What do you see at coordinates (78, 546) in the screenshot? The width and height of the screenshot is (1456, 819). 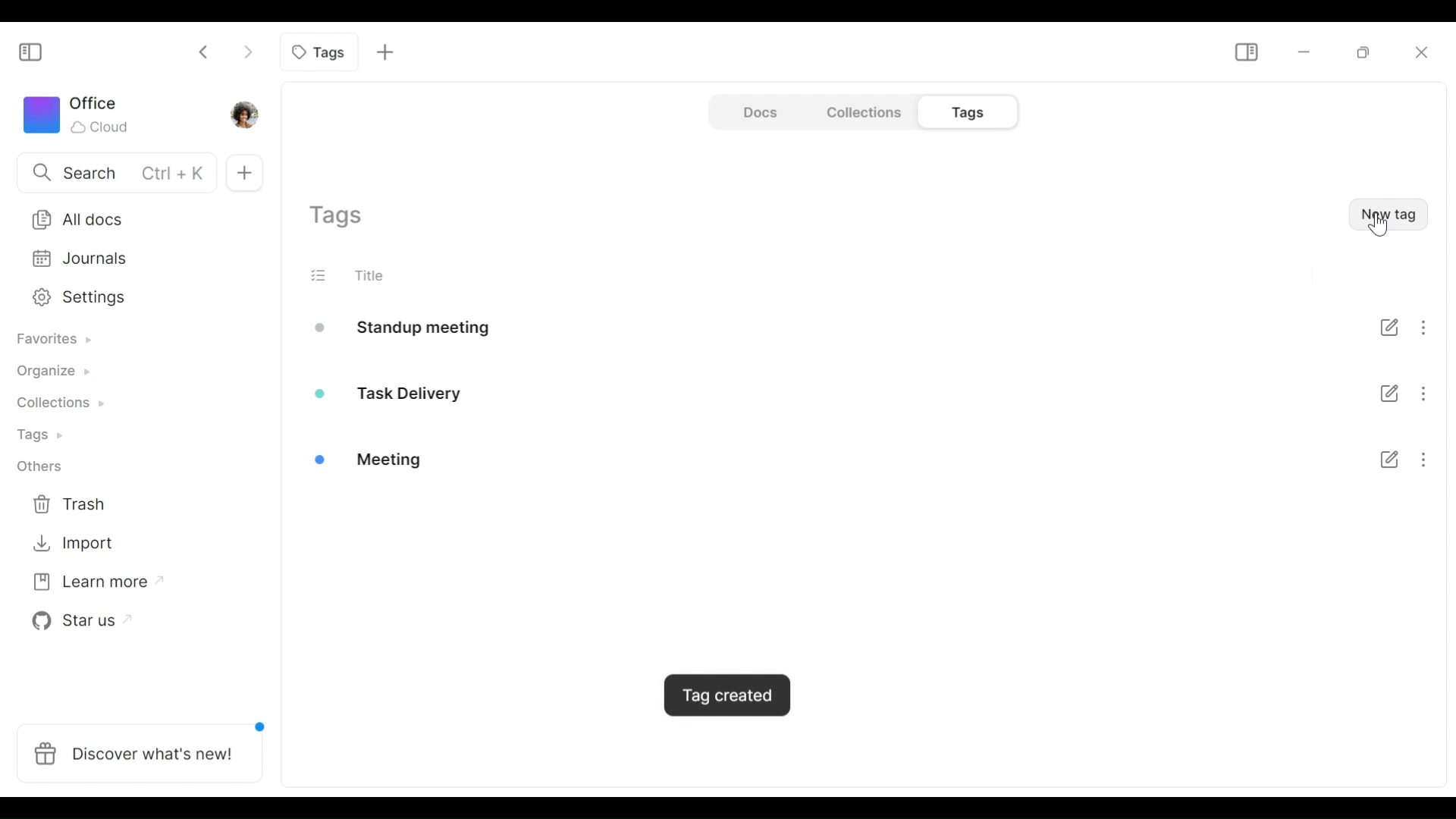 I see `Import` at bounding box center [78, 546].